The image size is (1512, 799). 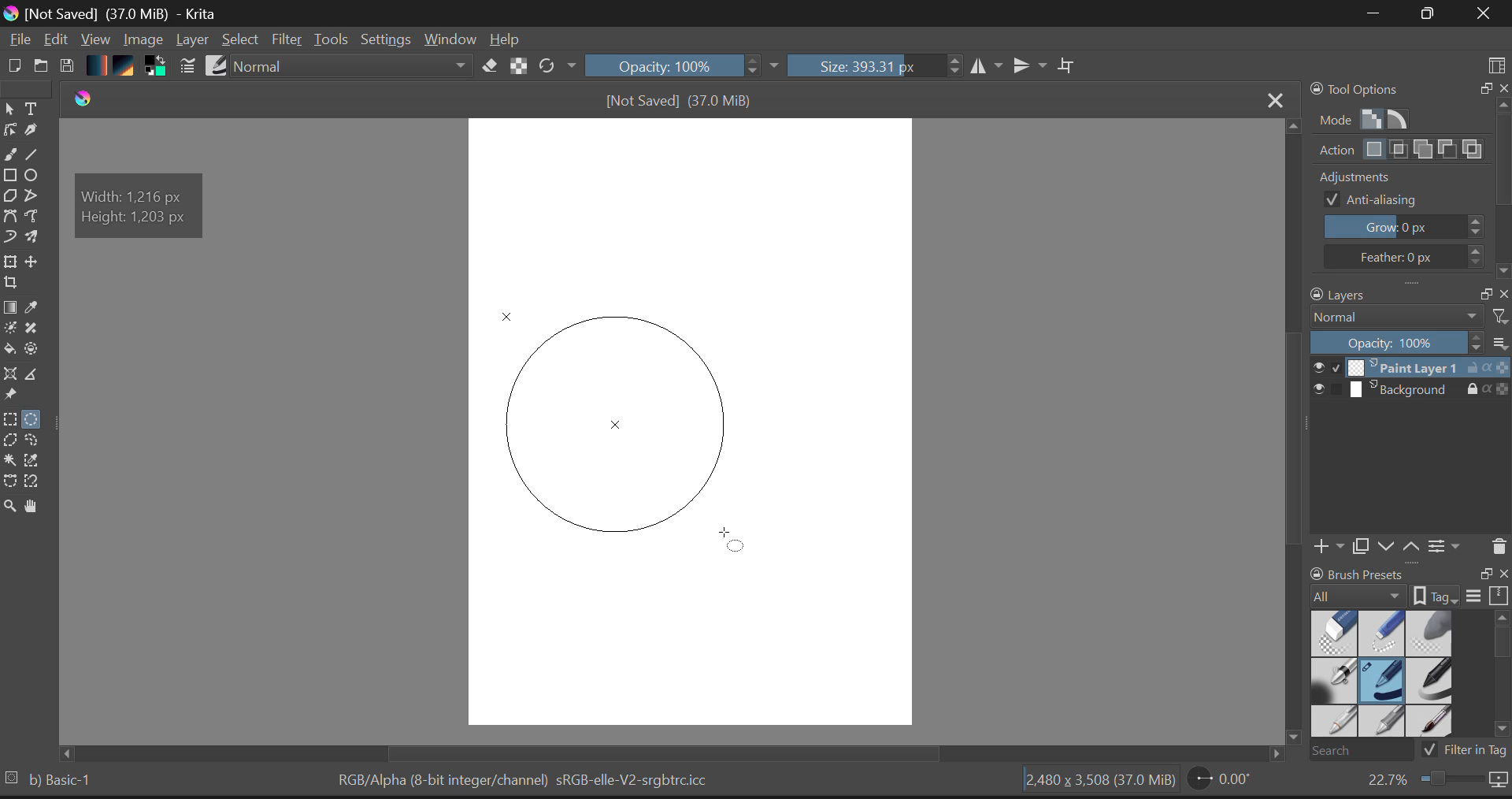 I want to click on Text, so click(x=32, y=109).